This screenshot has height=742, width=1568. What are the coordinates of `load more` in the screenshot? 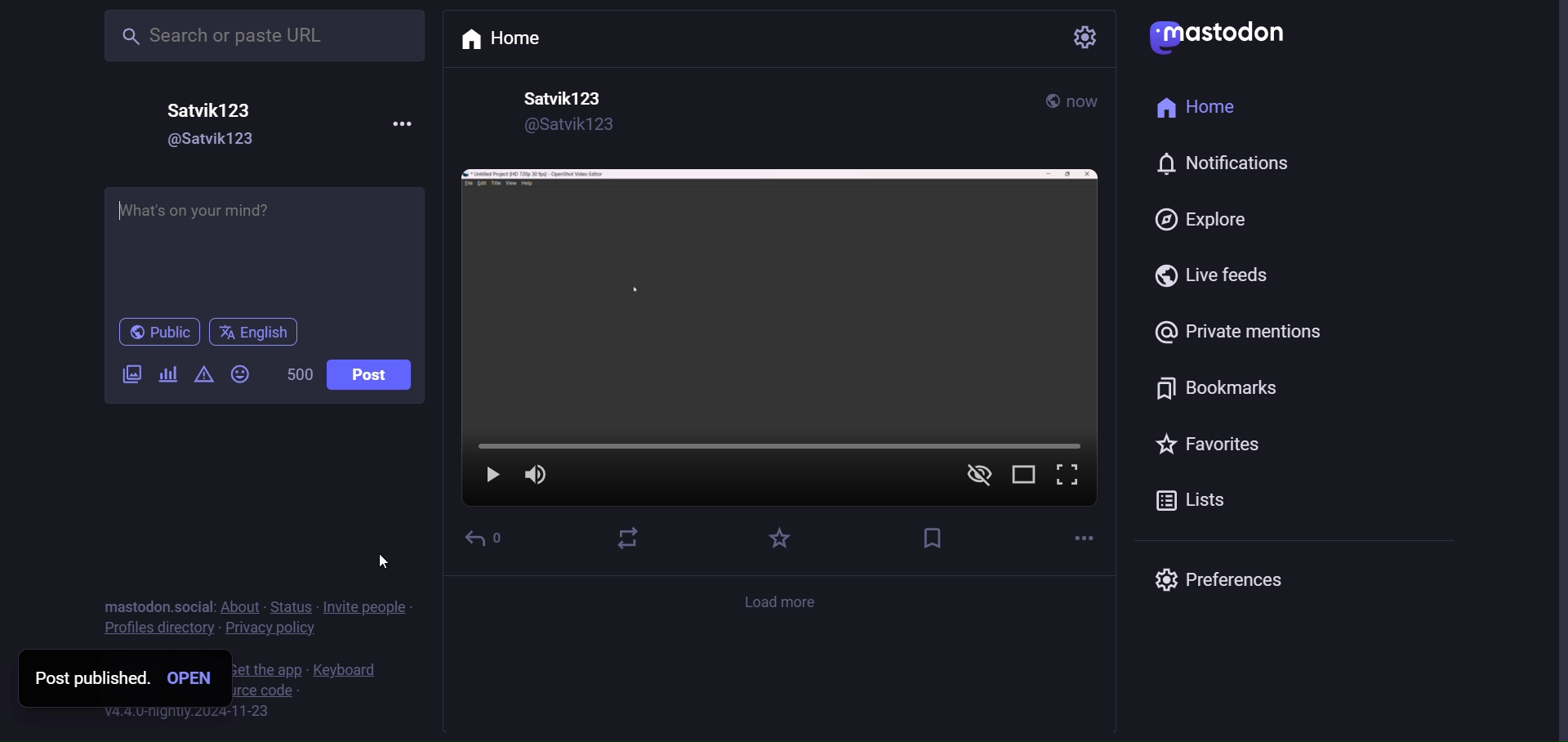 It's located at (783, 601).